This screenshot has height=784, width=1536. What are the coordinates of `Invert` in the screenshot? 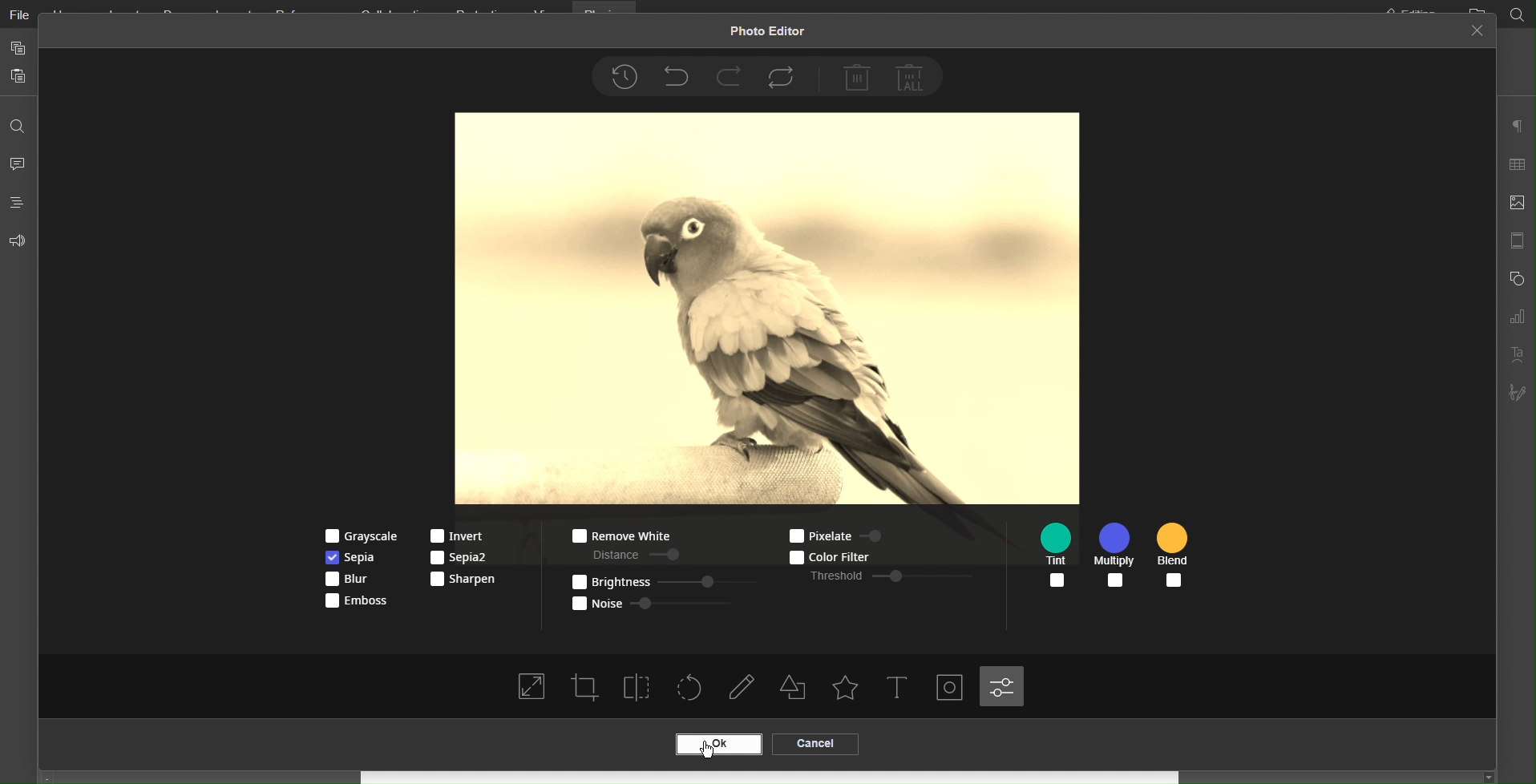 It's located at (459, 535).